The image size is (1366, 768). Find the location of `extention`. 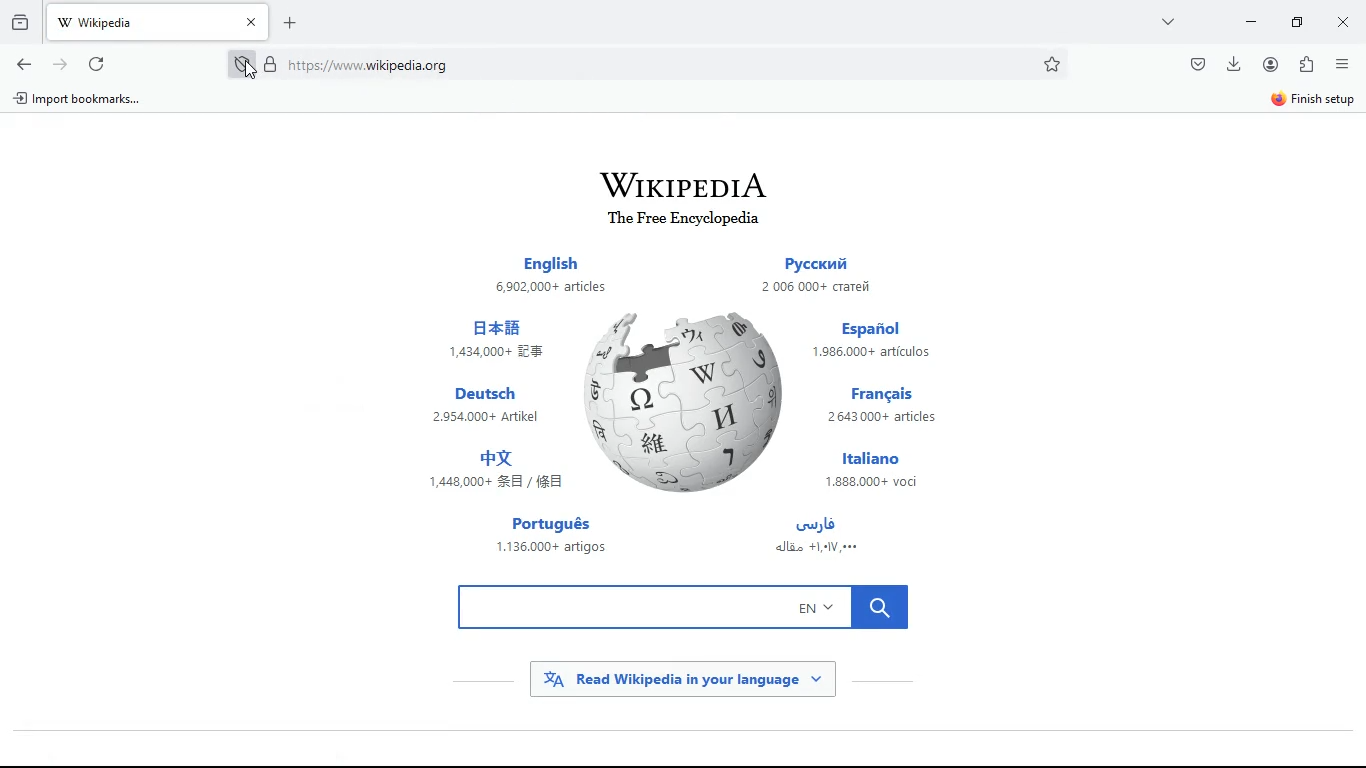

extention is located at coordinates (1308, 64).